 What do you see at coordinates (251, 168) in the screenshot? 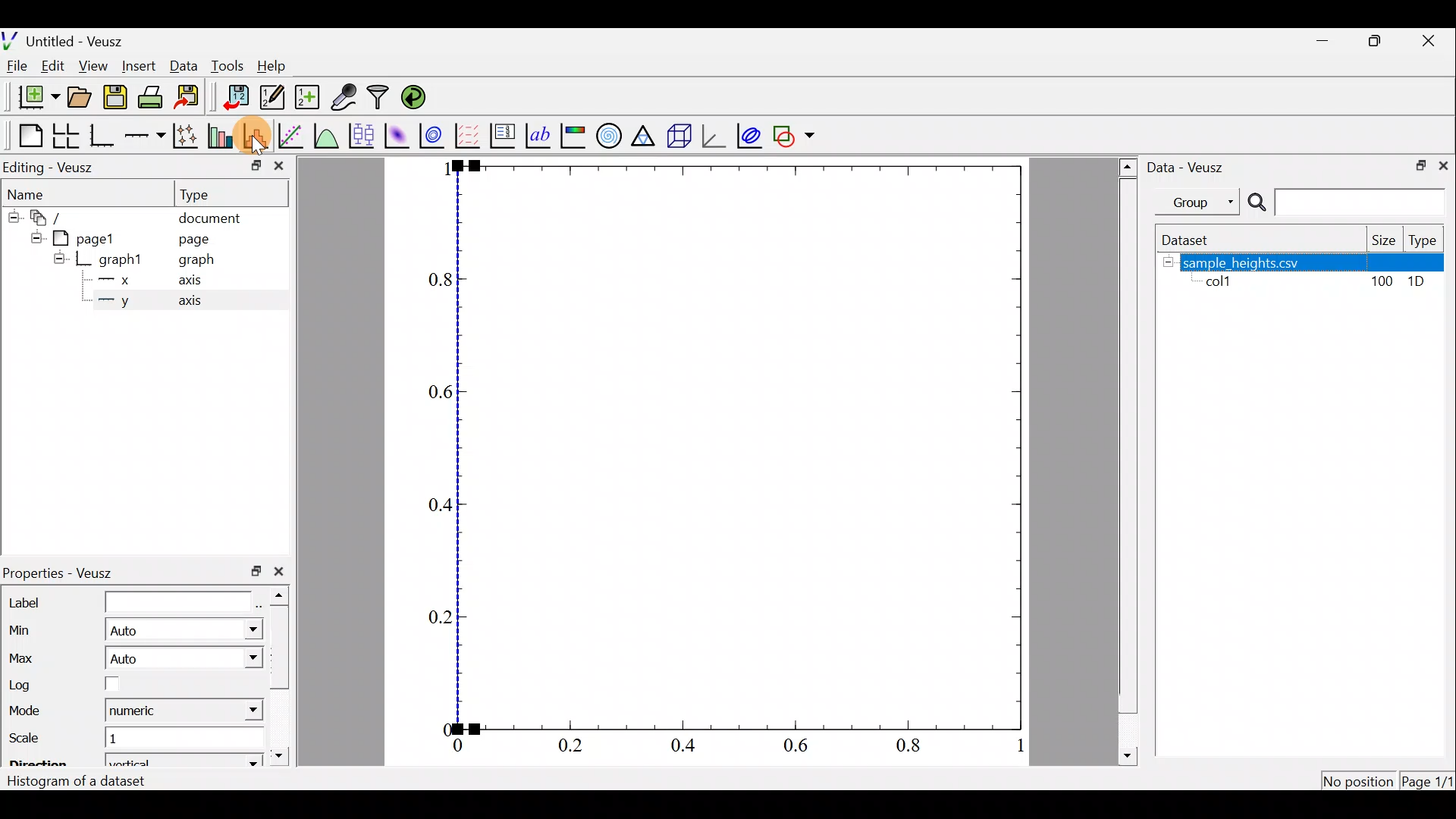
I see `restore down` at bounding box center [251, 168].